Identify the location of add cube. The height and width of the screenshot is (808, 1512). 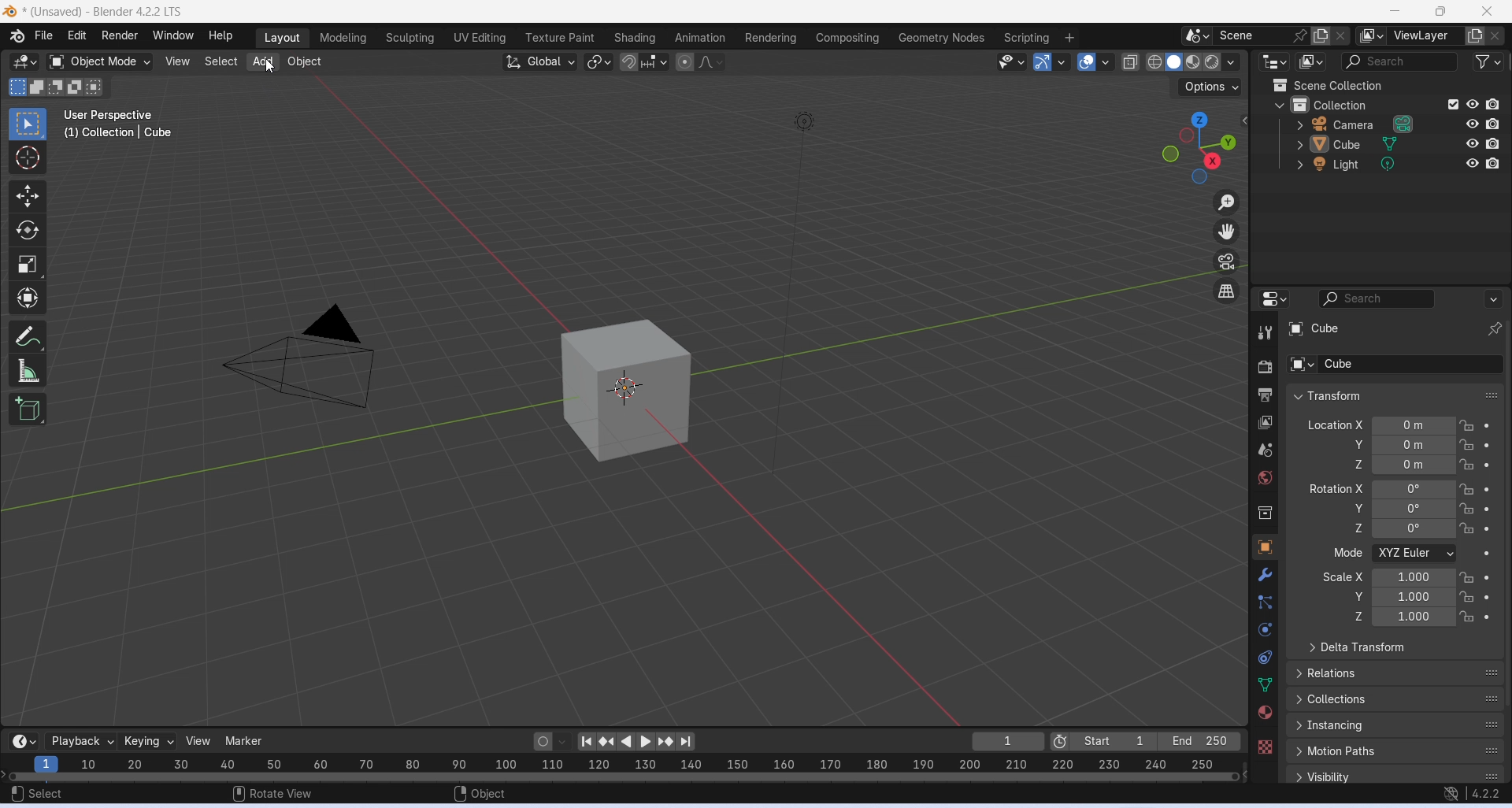
(28, 409).